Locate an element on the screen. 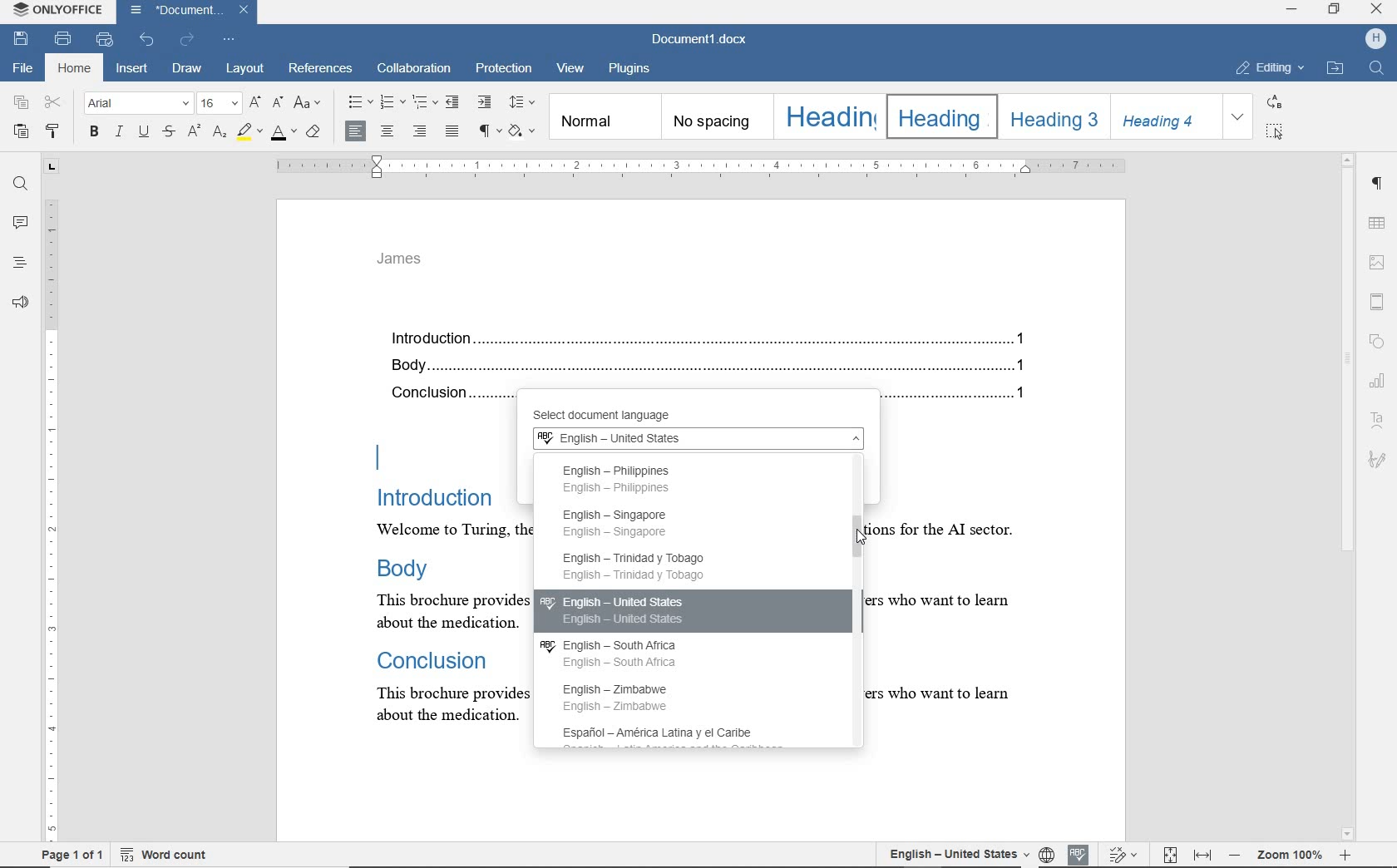 This screenshot has height=868, width=1397. underline is located at coordinates (146, 133).